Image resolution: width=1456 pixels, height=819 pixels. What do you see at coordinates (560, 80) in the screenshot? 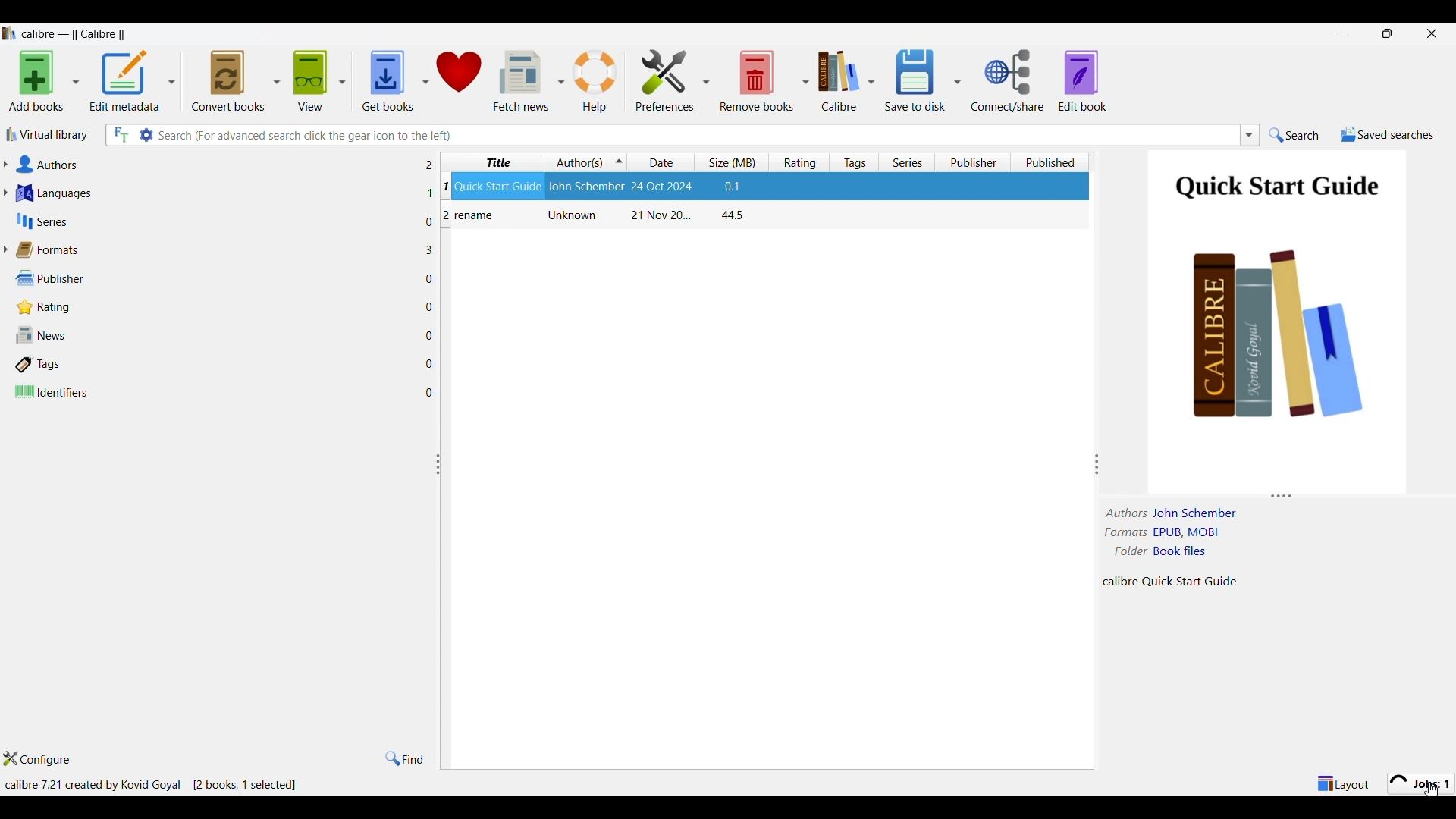
I see `Fetch news column` at bounding box center [560, 80].